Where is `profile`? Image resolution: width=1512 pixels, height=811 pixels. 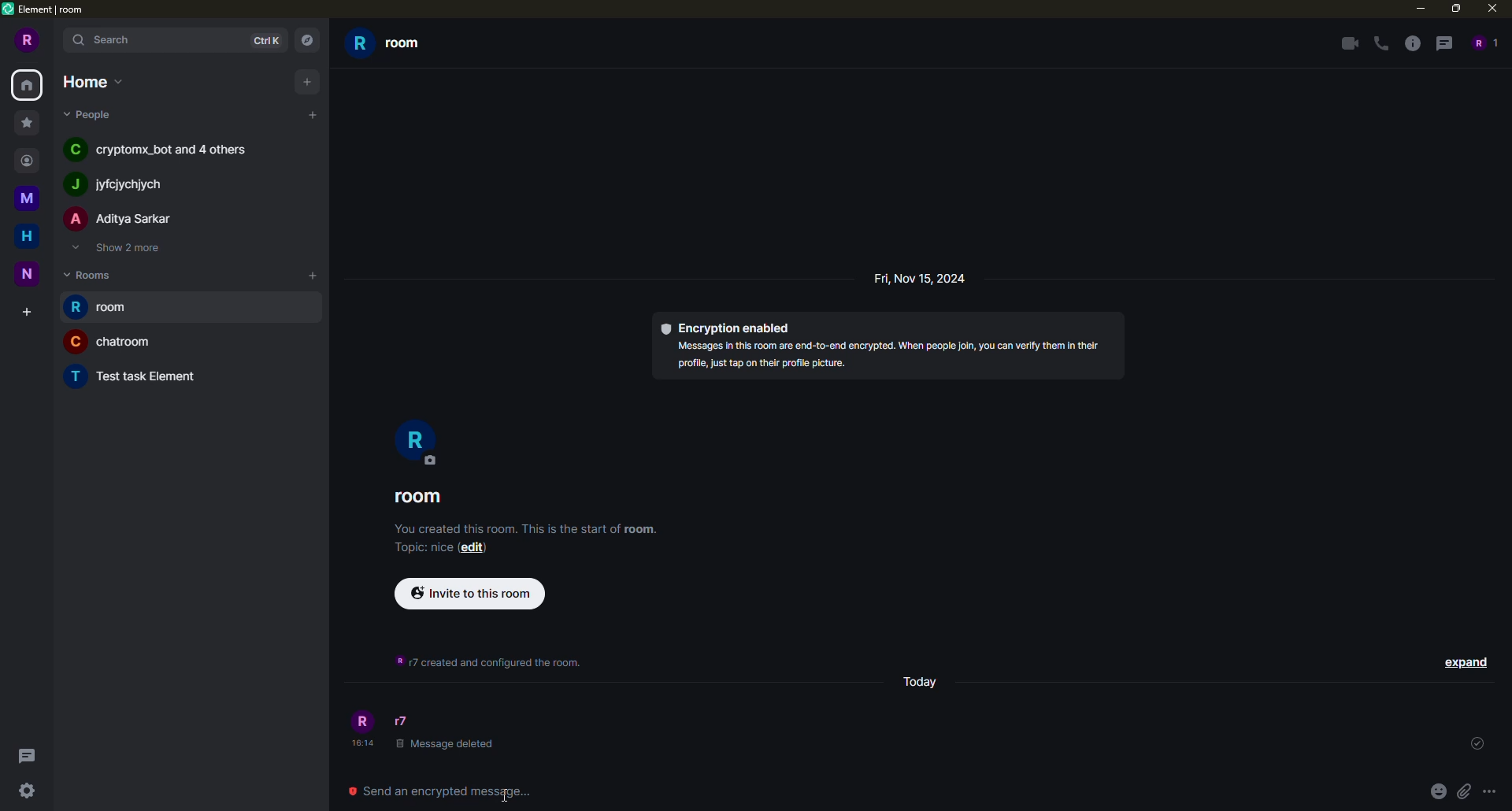
profile is located at coordinates (417, 445).